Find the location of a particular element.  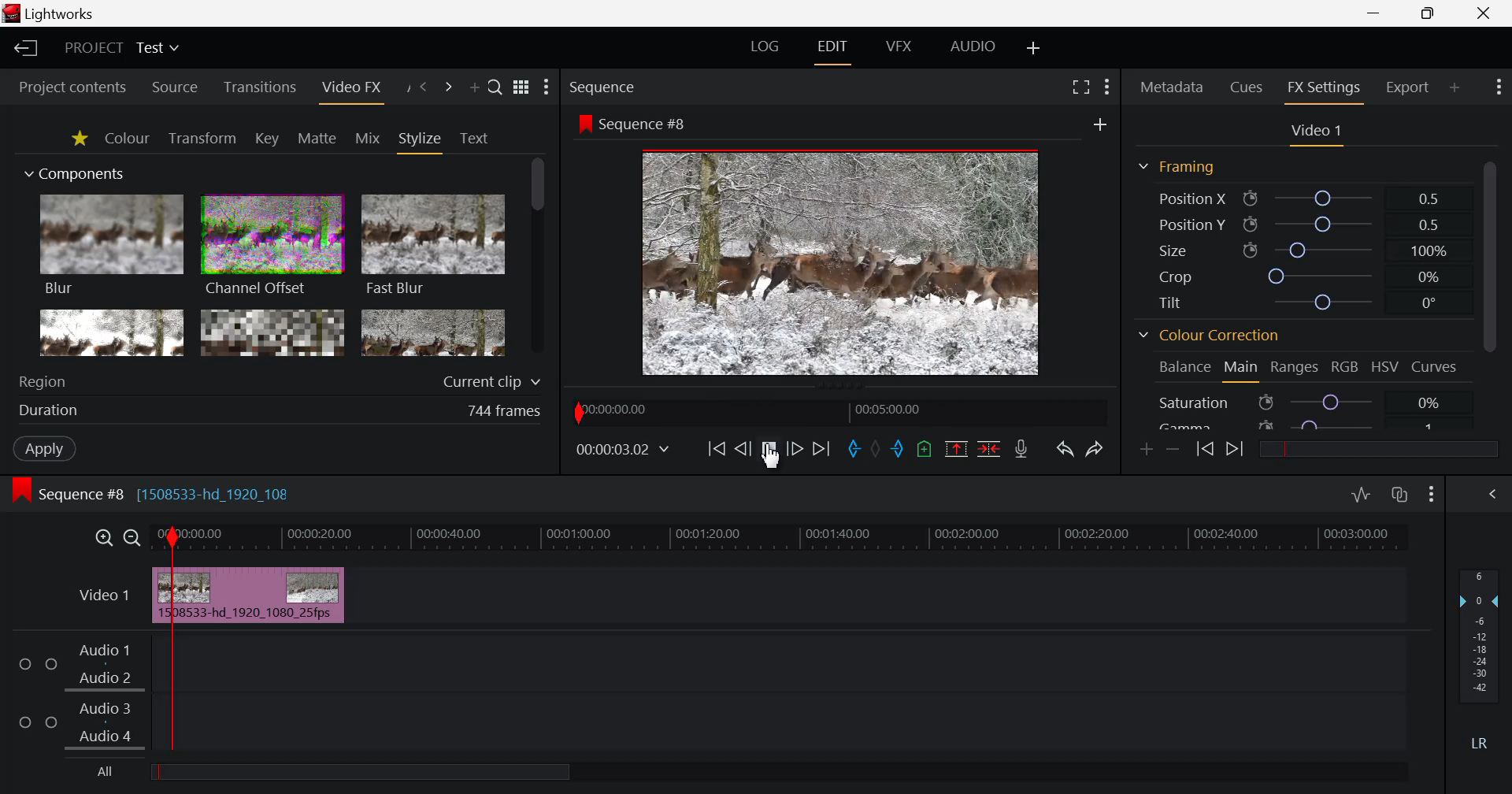

Transform is located at coordinates (202, 138).